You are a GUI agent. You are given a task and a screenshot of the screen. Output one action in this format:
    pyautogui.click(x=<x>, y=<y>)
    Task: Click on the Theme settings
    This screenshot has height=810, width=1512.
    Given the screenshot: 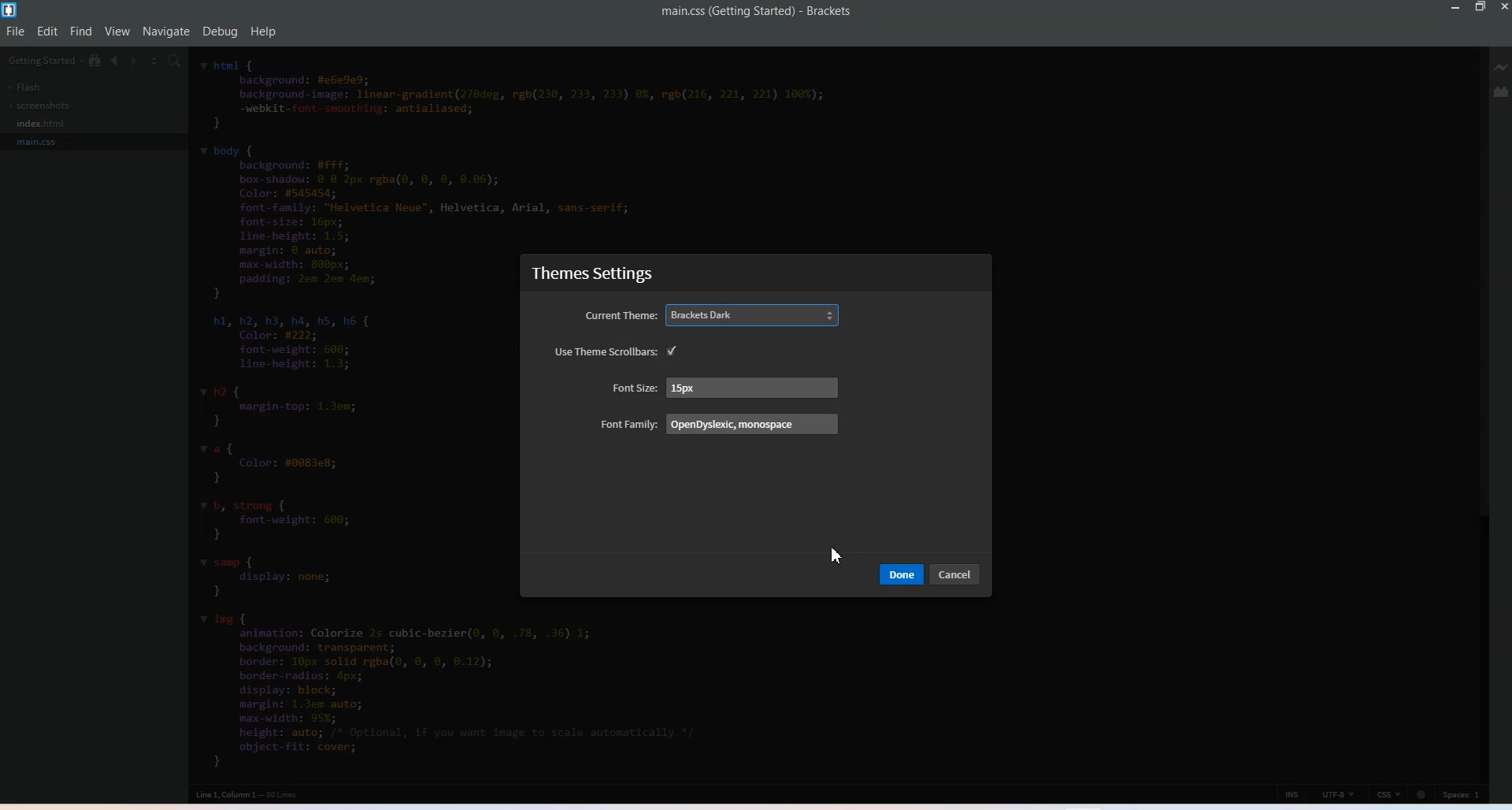 What is the action you would take?
    pyautogui.click(x=600, y=273)
    